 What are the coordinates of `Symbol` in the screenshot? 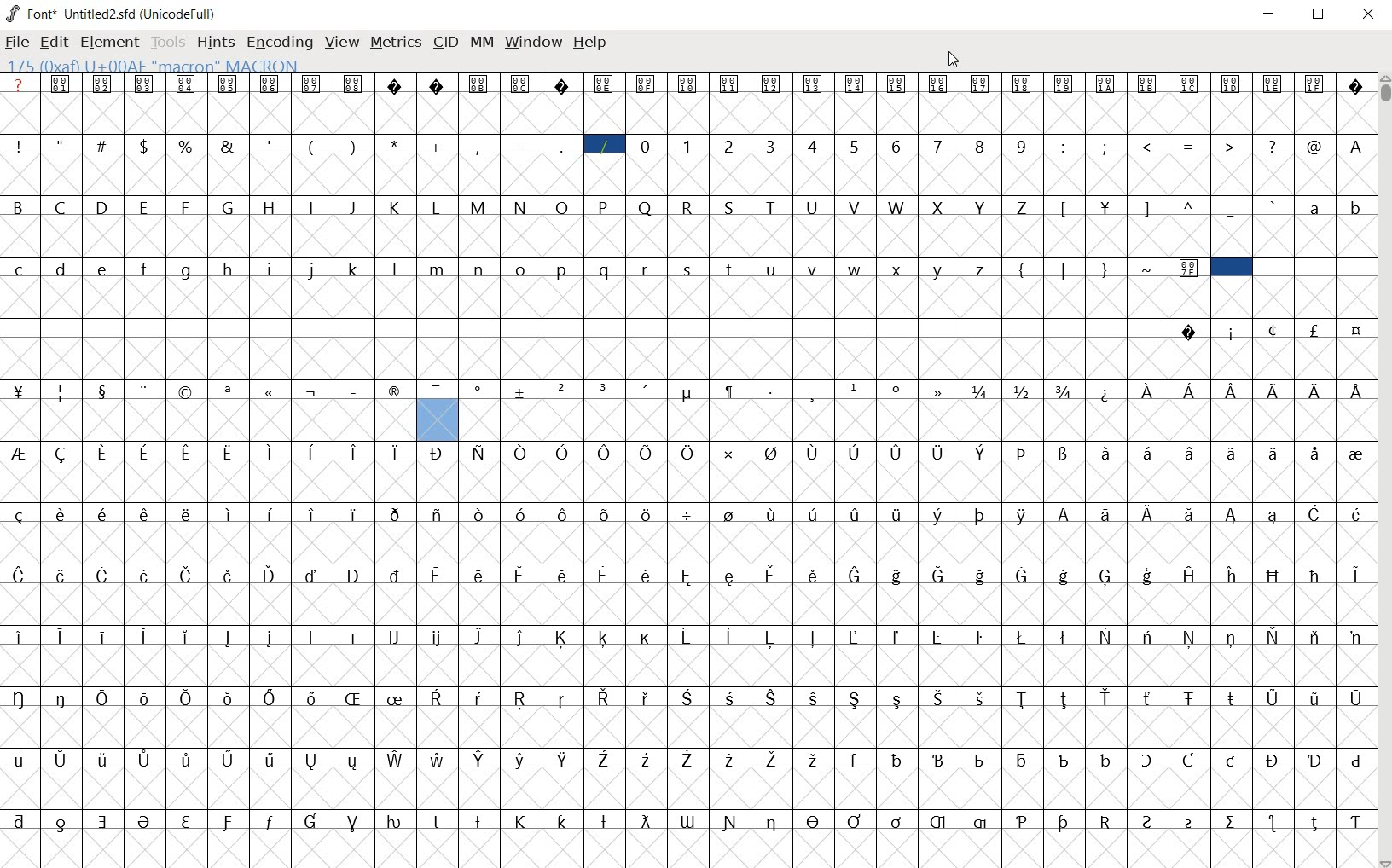 It's located at (521, 83).